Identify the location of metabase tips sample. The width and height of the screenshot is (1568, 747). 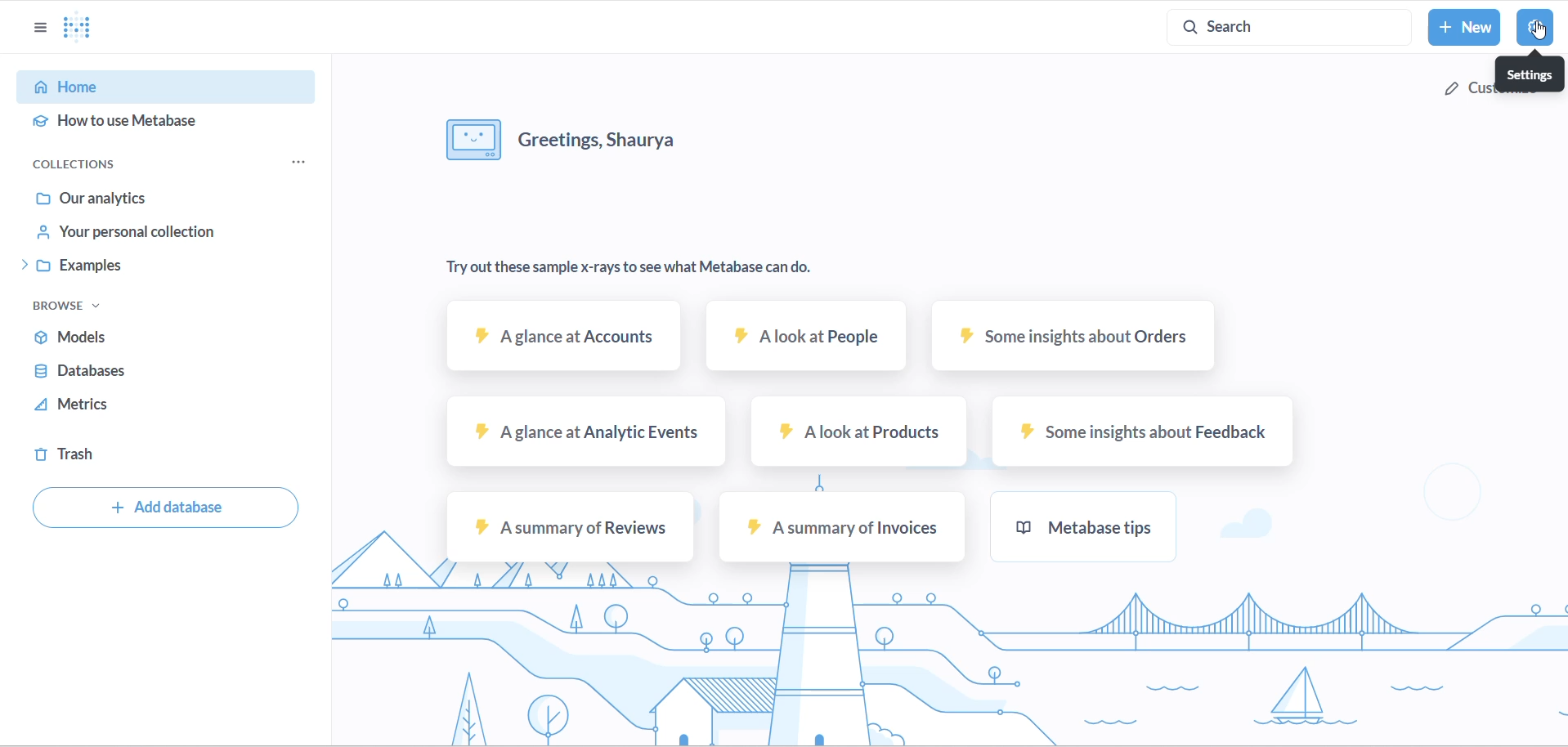
(1082, 524).